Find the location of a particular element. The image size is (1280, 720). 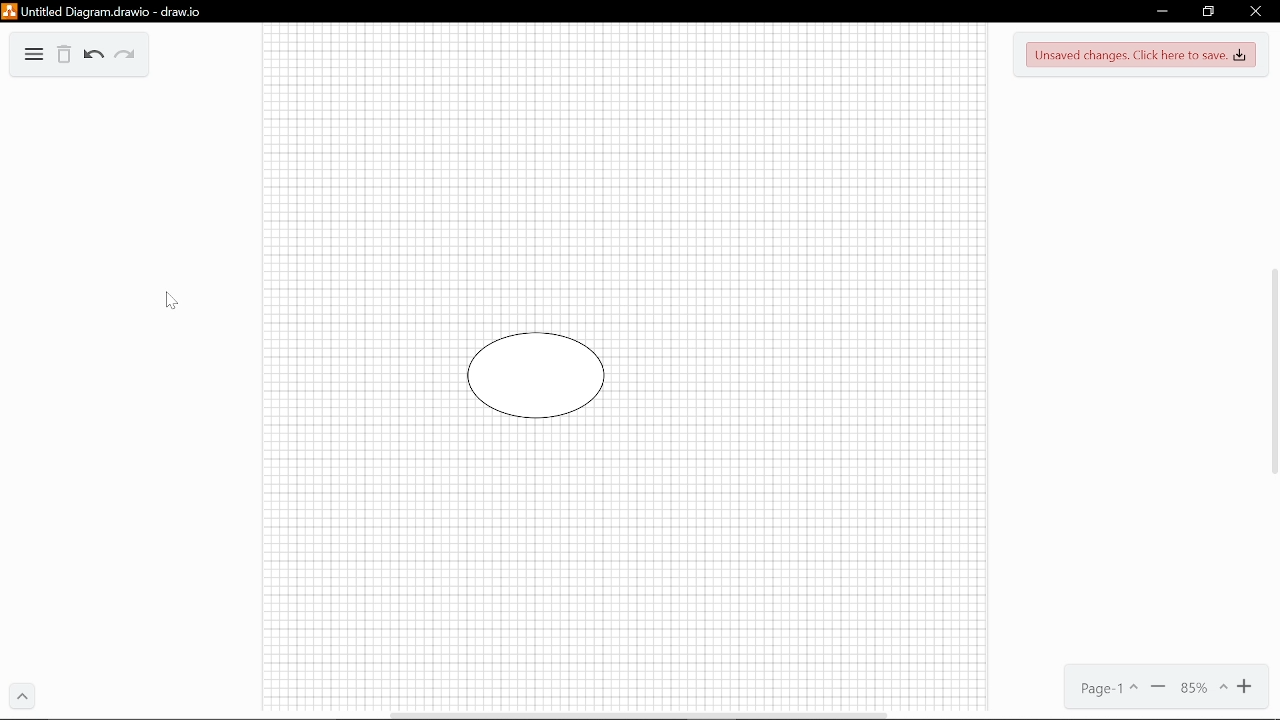

Delete is located at coordinates (64, 57).